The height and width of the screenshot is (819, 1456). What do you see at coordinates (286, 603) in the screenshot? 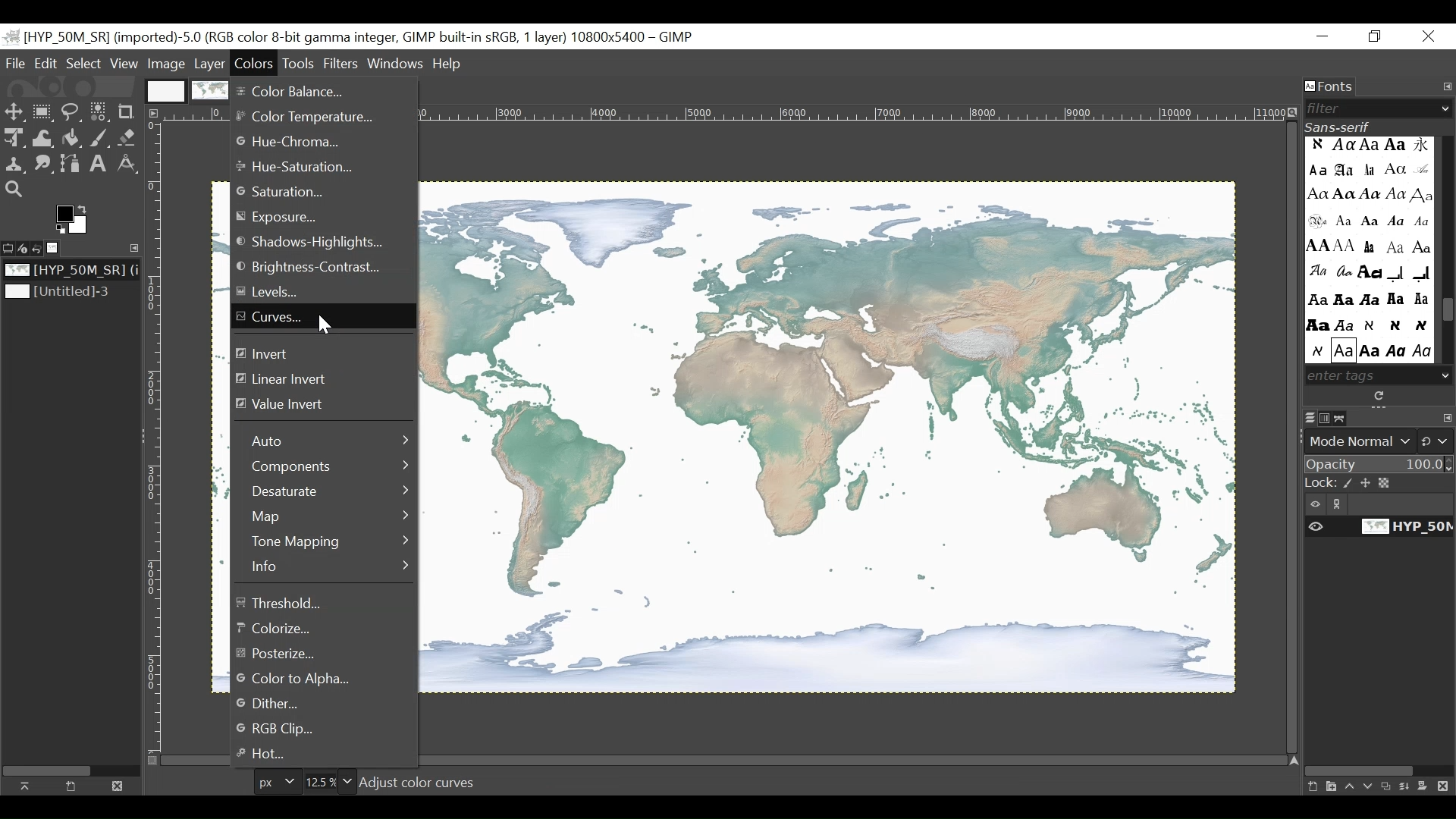
I see `Threshold` at bounding box center [286, 603].